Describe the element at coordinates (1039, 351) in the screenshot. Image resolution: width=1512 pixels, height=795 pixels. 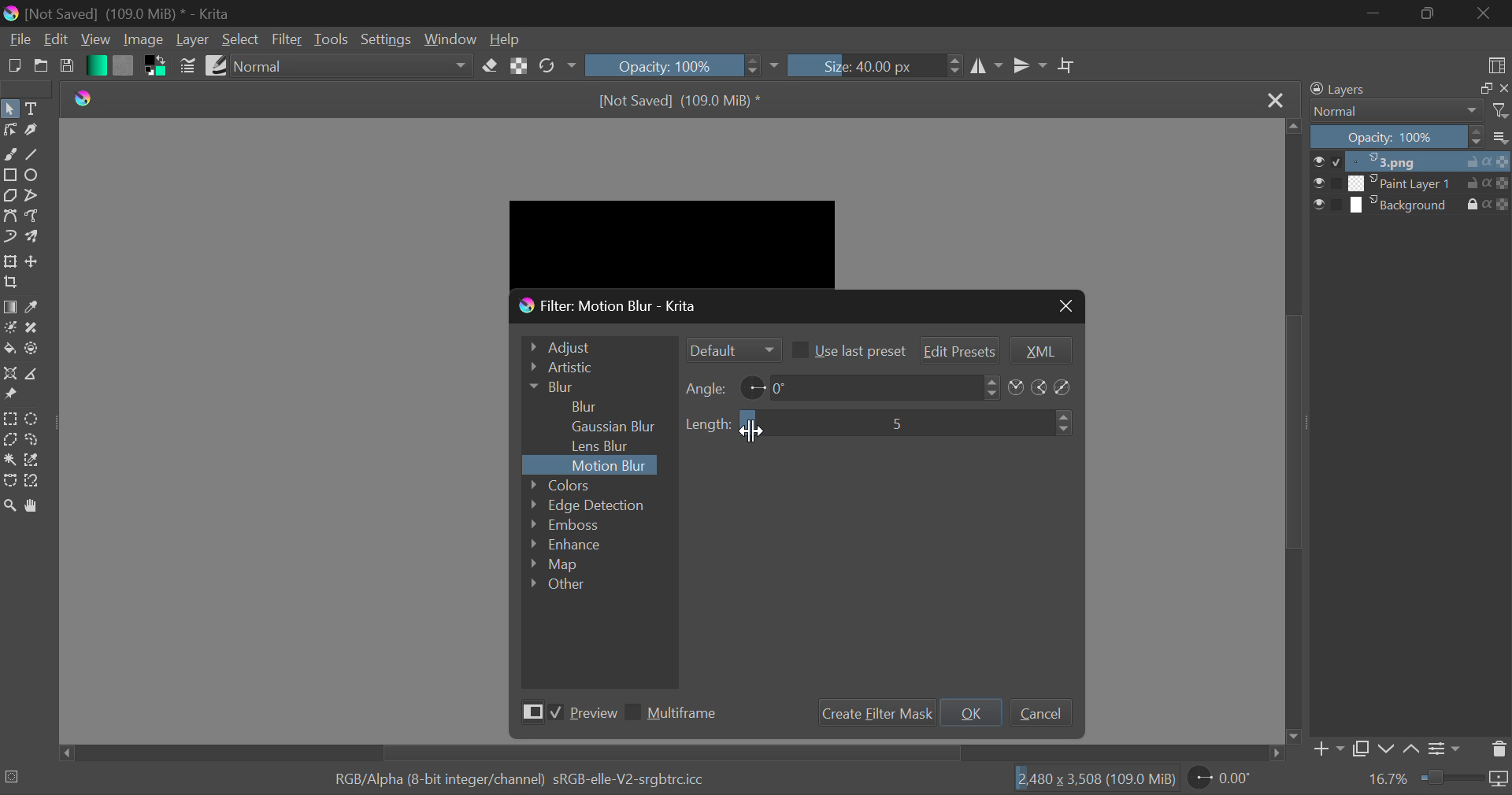
I see `XML` at that location.